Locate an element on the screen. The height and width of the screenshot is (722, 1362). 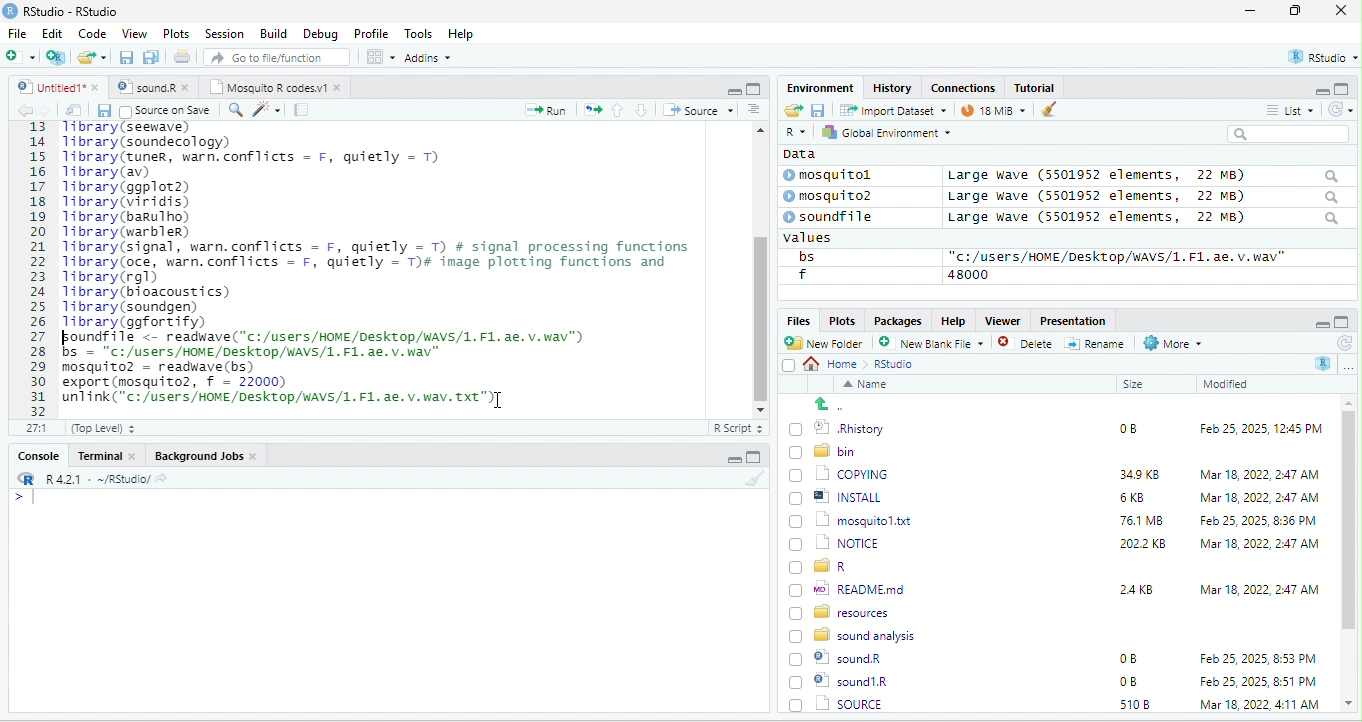
fipt 2 (0) ©] Rhistory 0B Feb 25, 2025, 12:45 PM
oO bin
0) 1) copying 349K8 Mar 18,2022, 247 AM
(J ®] INSTALL 6KB Mar 18, 2022, 247 AM
(0 1) mosauitoxt T6IMB Feb 25,2025 8:36 PM
0 [3 norce 2002K8 Mar 18, 2022, 247 AM
0 @r
(7) %) READMEmd 248 Mar 18, 2022, 247 AM
(0) resources
[5 sound analysis
(0) ©) soundiR LO Feb 25, 2025, 851 PM
0 1 source s108 Mar 18, 2022, 41 AM
(71 Uninstallexe 1302KB  Apr26,2022 1.00PM ¥ is located at coordinates (394, 262).